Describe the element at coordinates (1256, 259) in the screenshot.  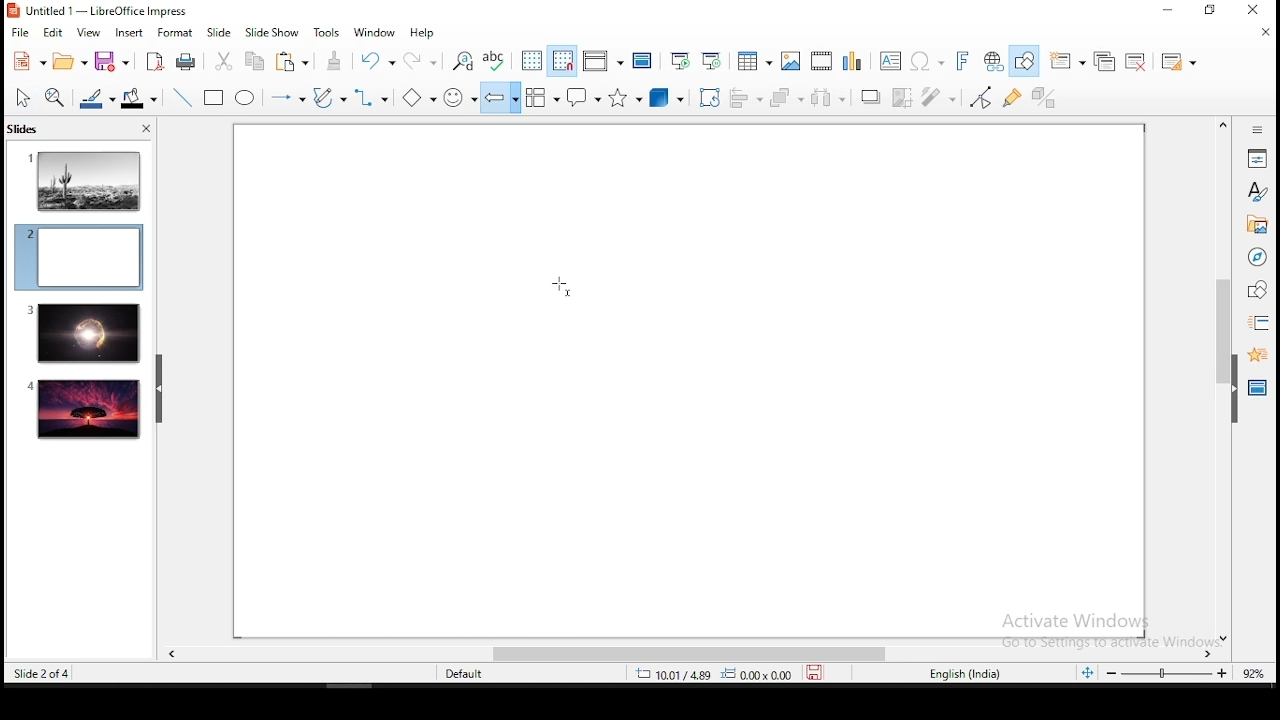
I see `navigator` at that location.